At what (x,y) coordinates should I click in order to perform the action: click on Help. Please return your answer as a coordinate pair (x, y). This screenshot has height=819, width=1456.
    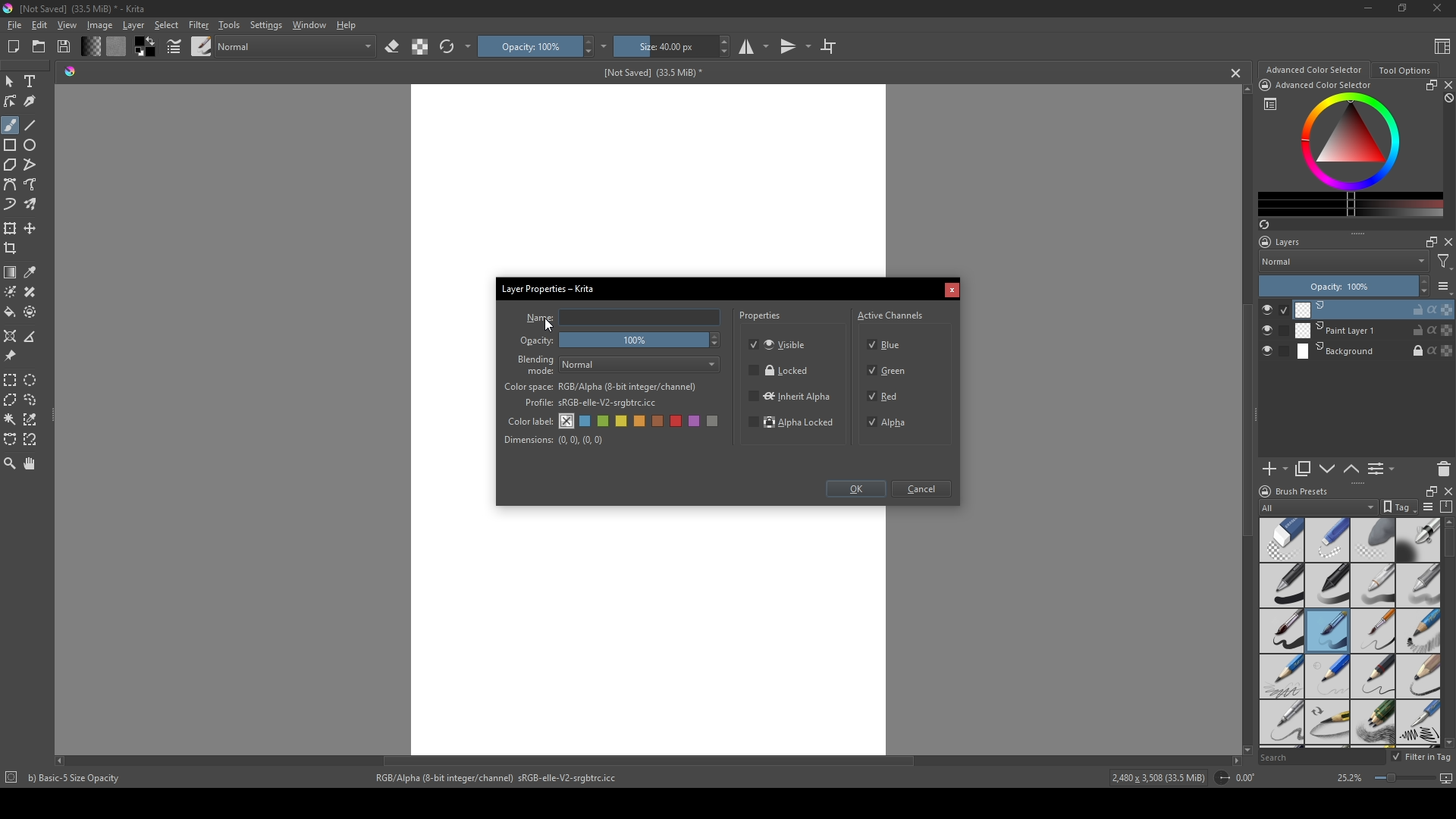
    Looking at the image, I should click on (347, 24).